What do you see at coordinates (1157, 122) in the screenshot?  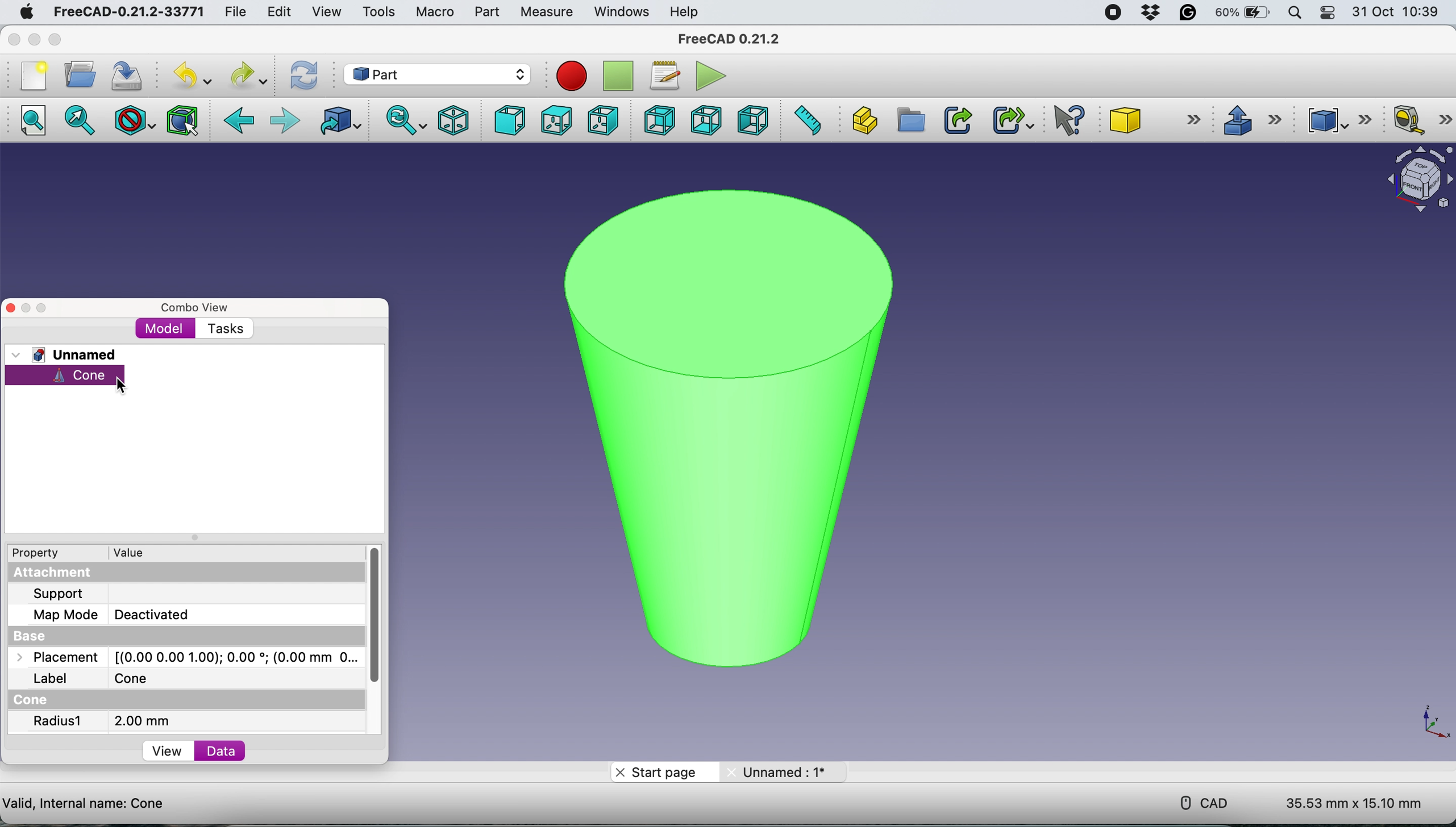 I see `cone` at bounding box center [1157, 122].